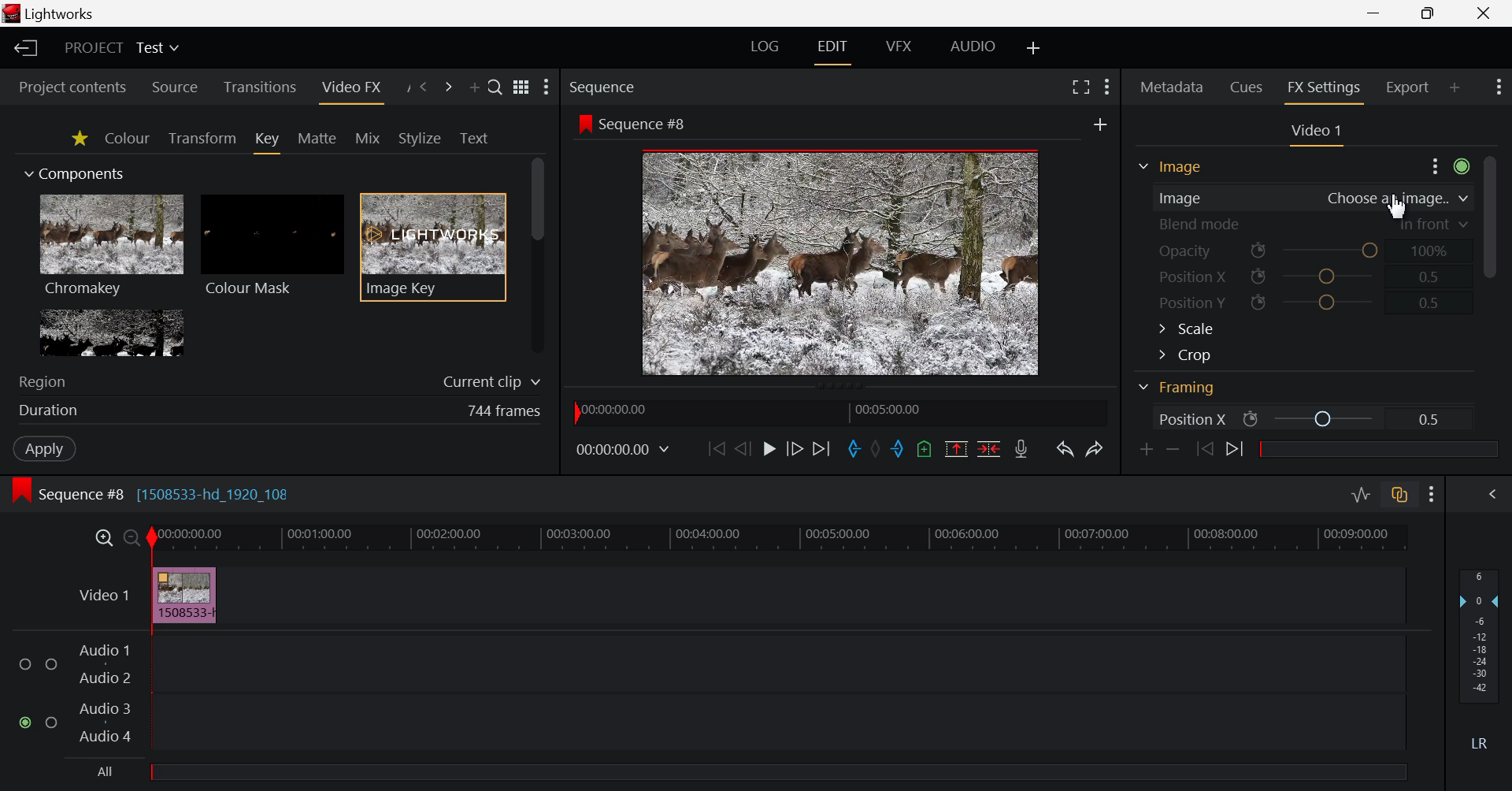  I want to click on Apply, so click(43, 449).